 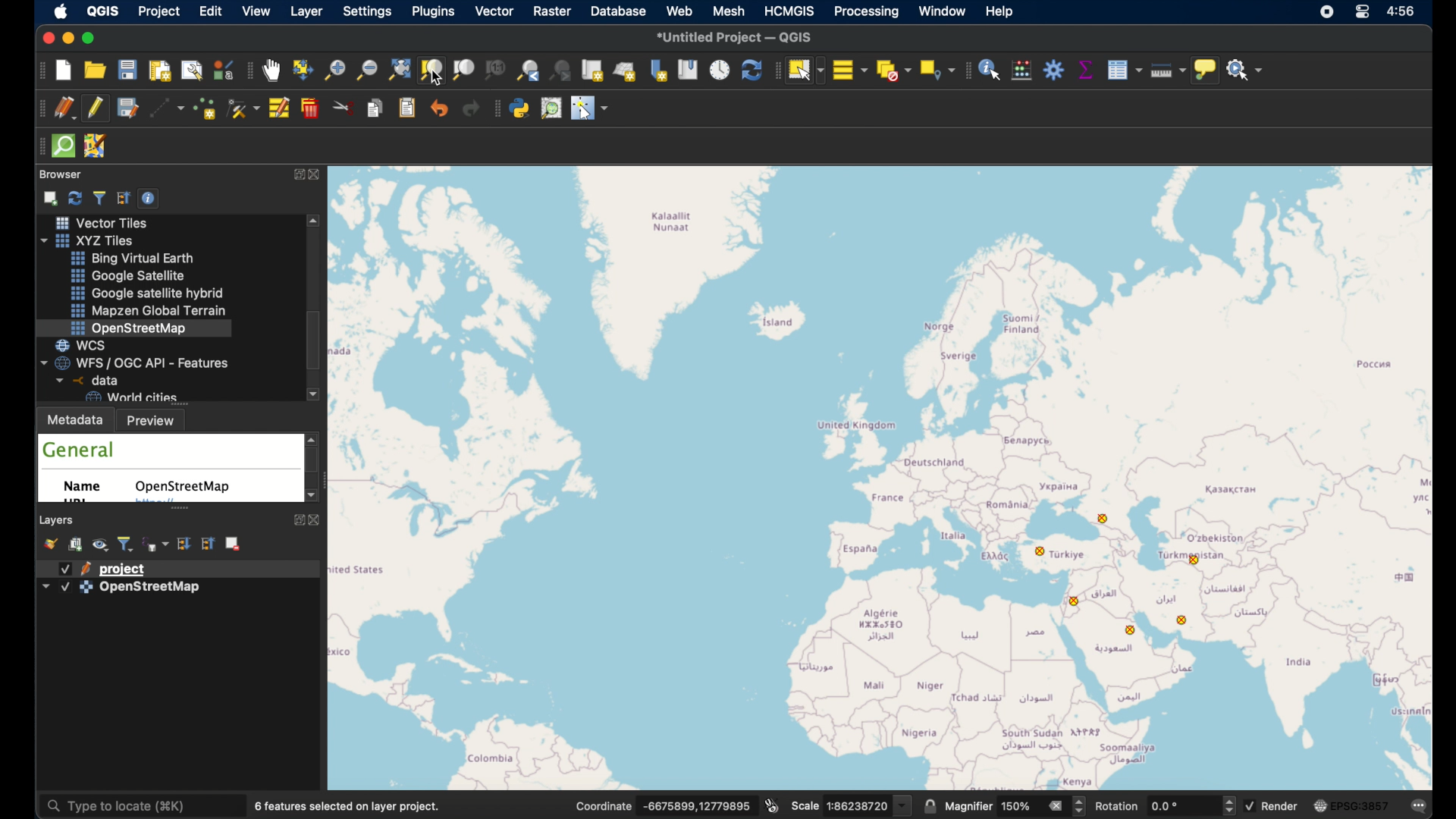 What do you see at coordinates (130, 397) in the screenshot?
I see `world cities` at bounding box center [130, 397].